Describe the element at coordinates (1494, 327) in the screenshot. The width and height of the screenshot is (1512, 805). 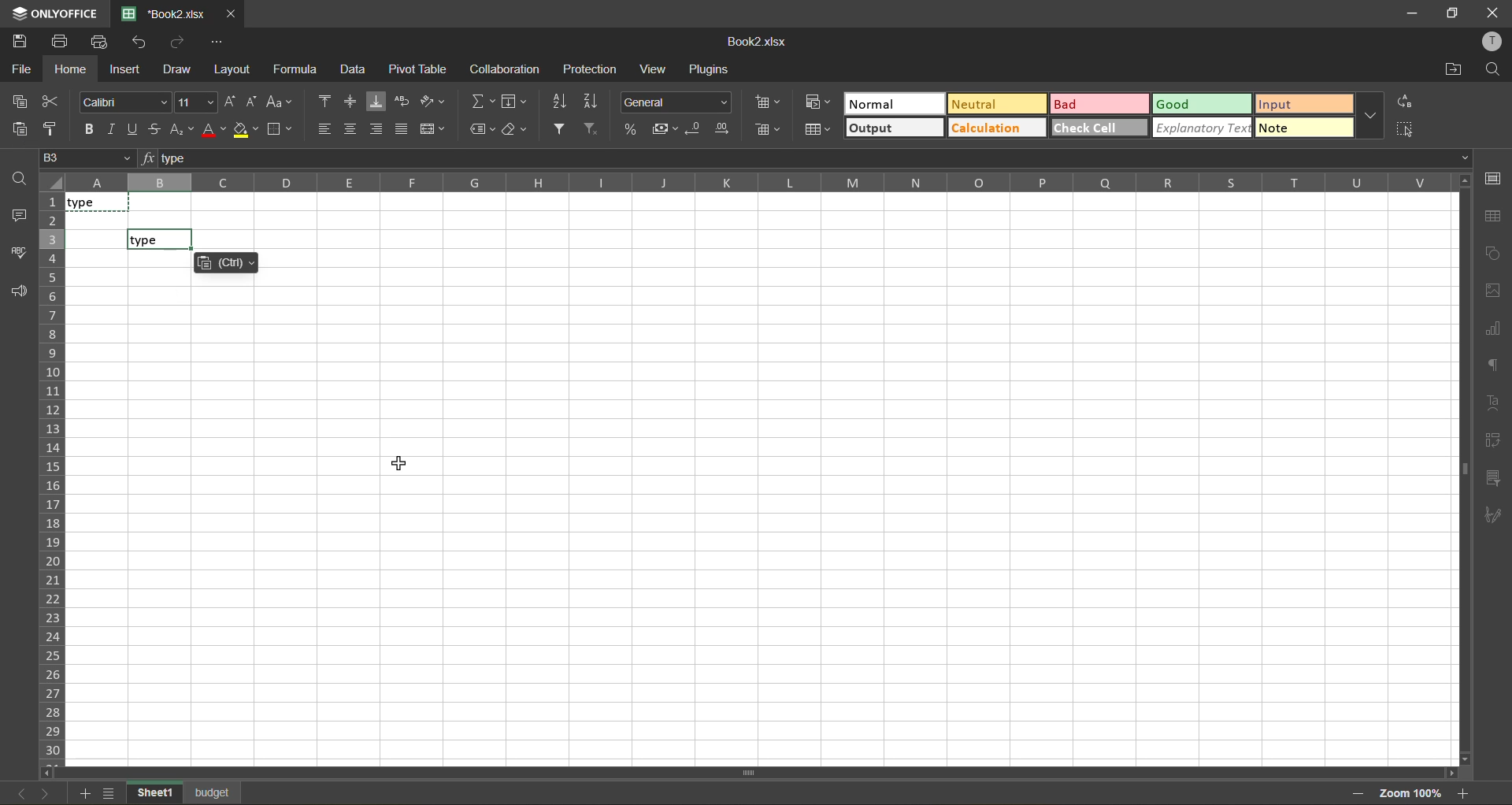
I see `charts` at that location.